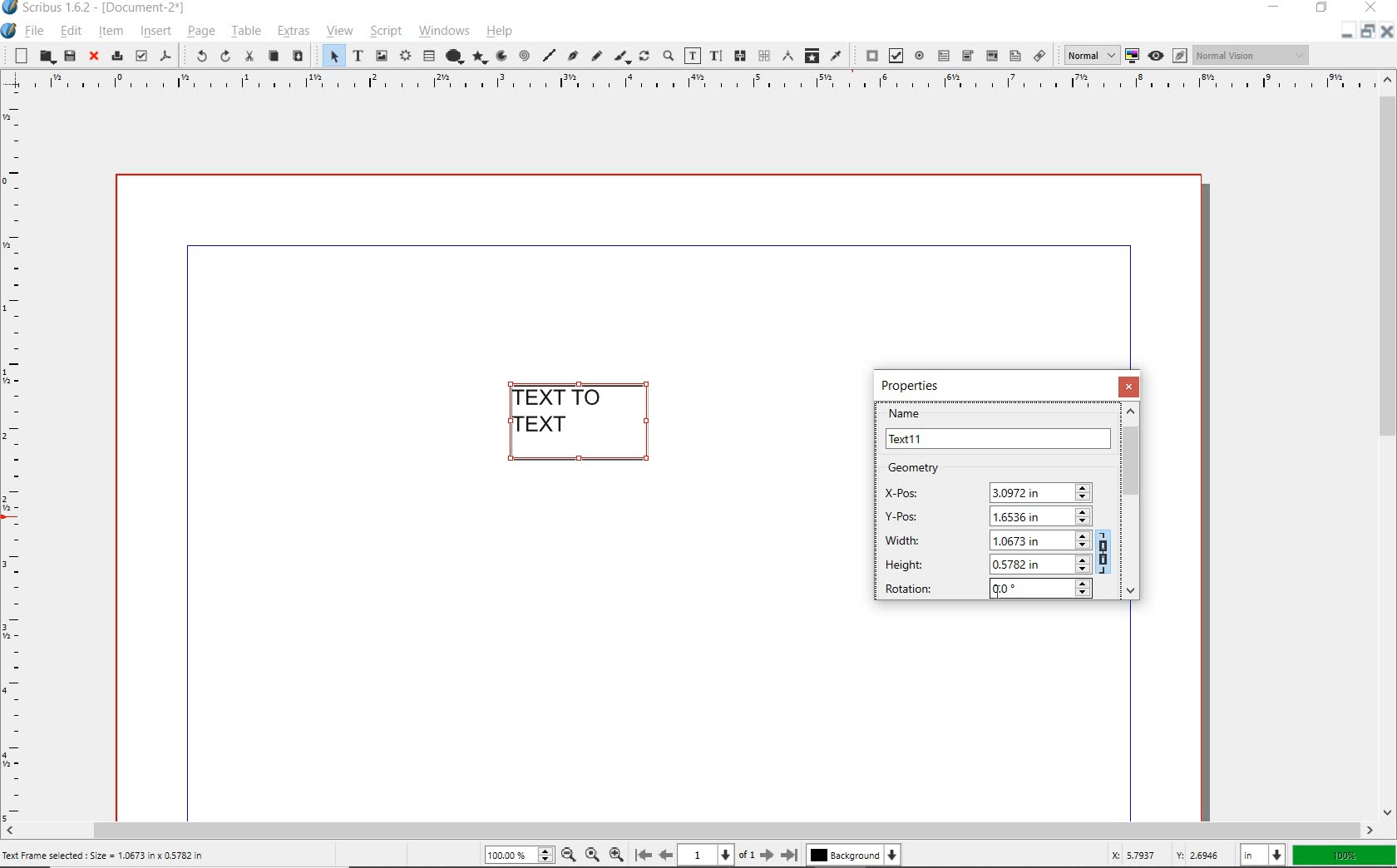 This screenshot has width=1397, height=868. What do you see at coordinates (383, 57) in the screenshot?
I see `image frame` at bounding box center [383, 57].